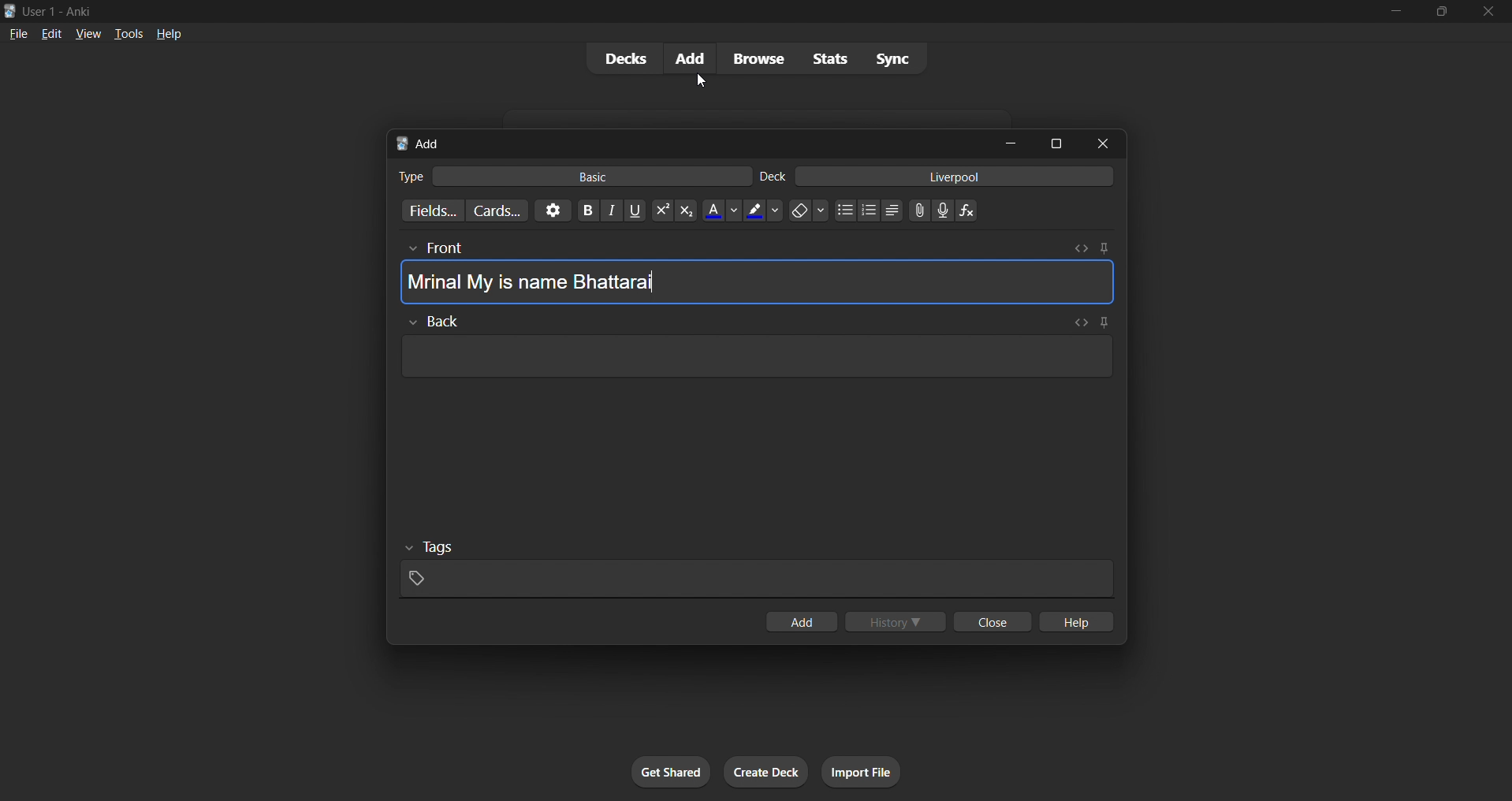 This screenshot has height=801, width=1512. I want to click on tags input field, so click(759, 568).